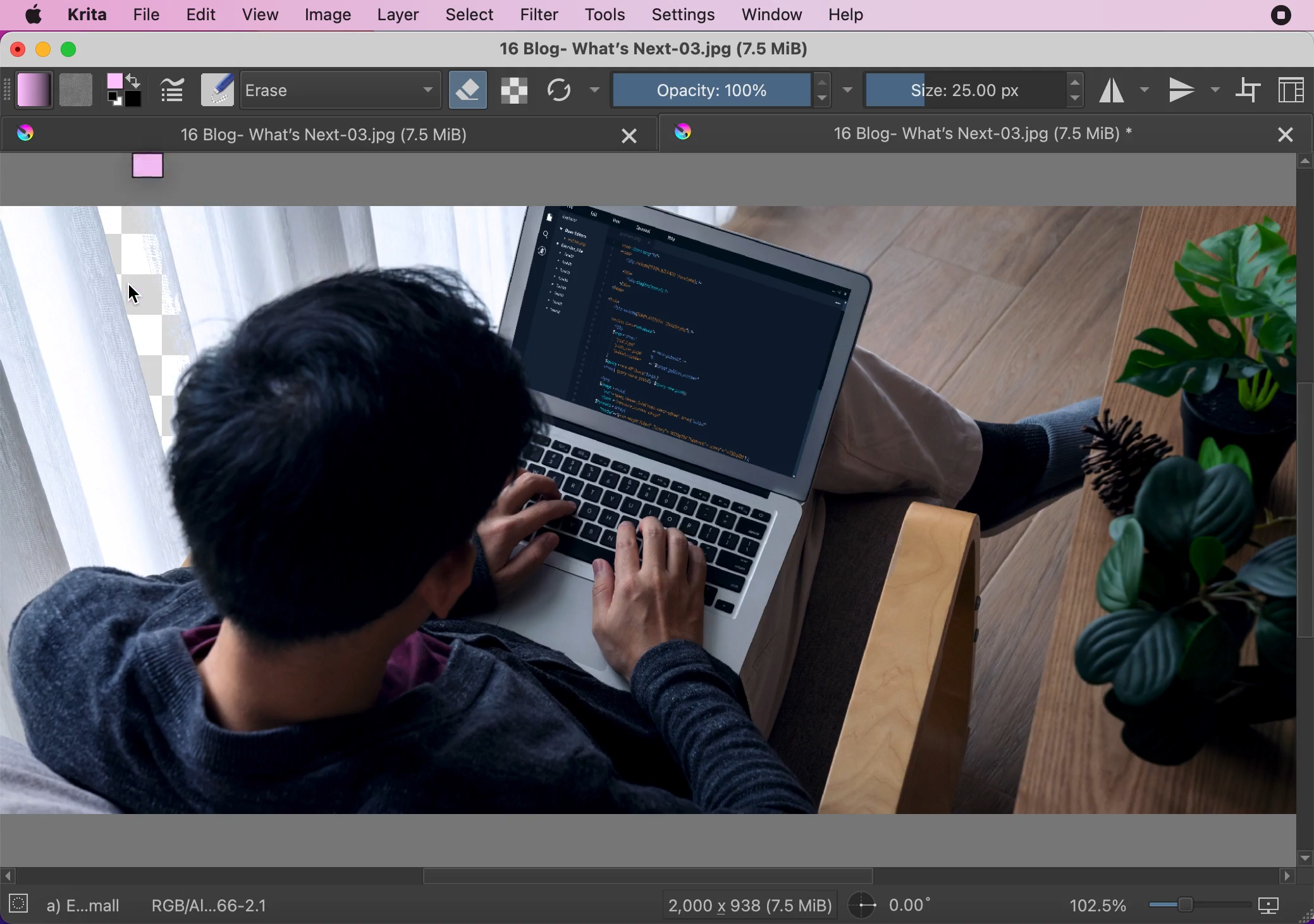 The image size is (1314, 924). Describe the element at coordinates (148, 170) in the screenshot. I see `moved gradient` at that location.